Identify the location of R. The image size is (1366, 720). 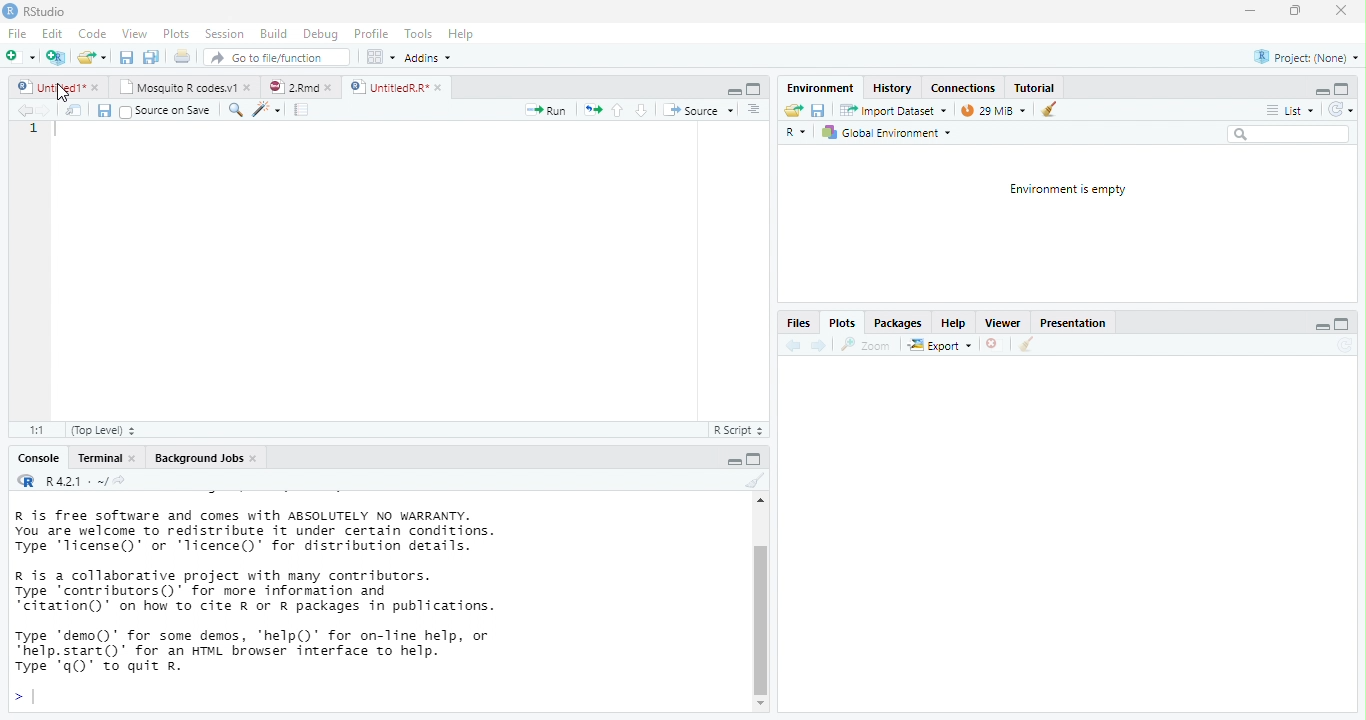
(24, 480).